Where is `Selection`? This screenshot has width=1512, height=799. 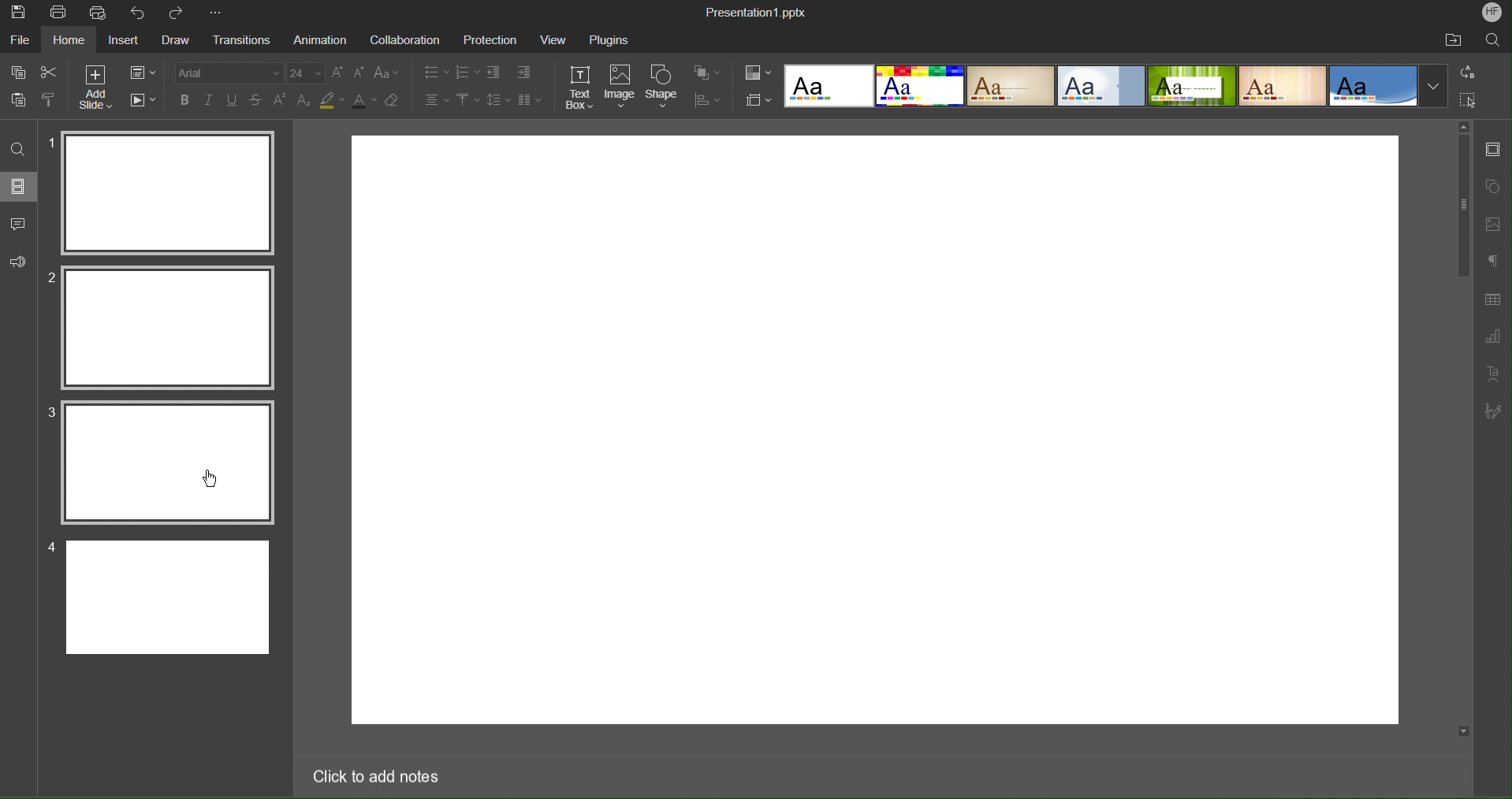
Selection is located at coordinates (1467, 100).